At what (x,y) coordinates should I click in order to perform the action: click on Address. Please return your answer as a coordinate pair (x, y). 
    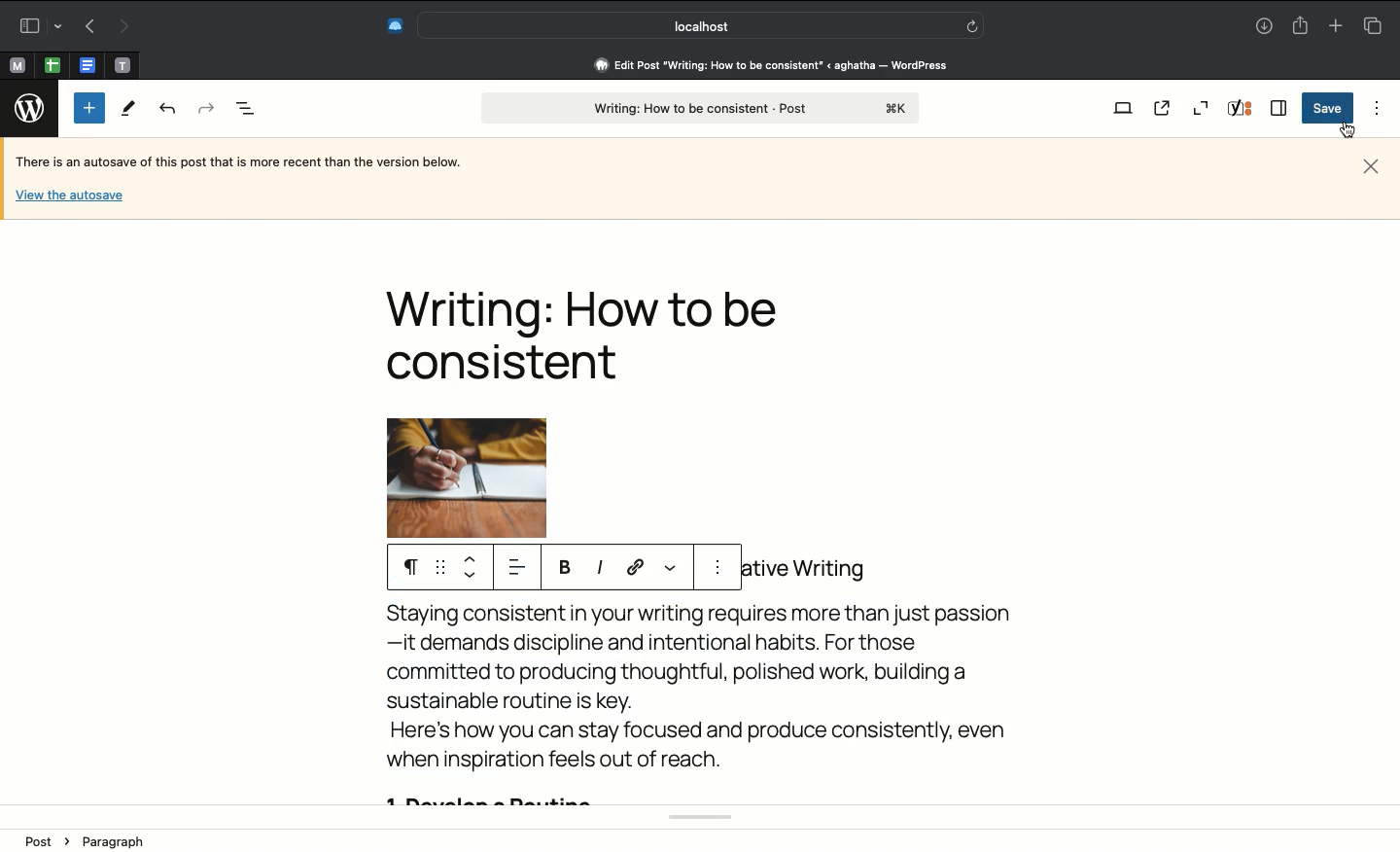
    Looking at the image, I should click on (758, 65).